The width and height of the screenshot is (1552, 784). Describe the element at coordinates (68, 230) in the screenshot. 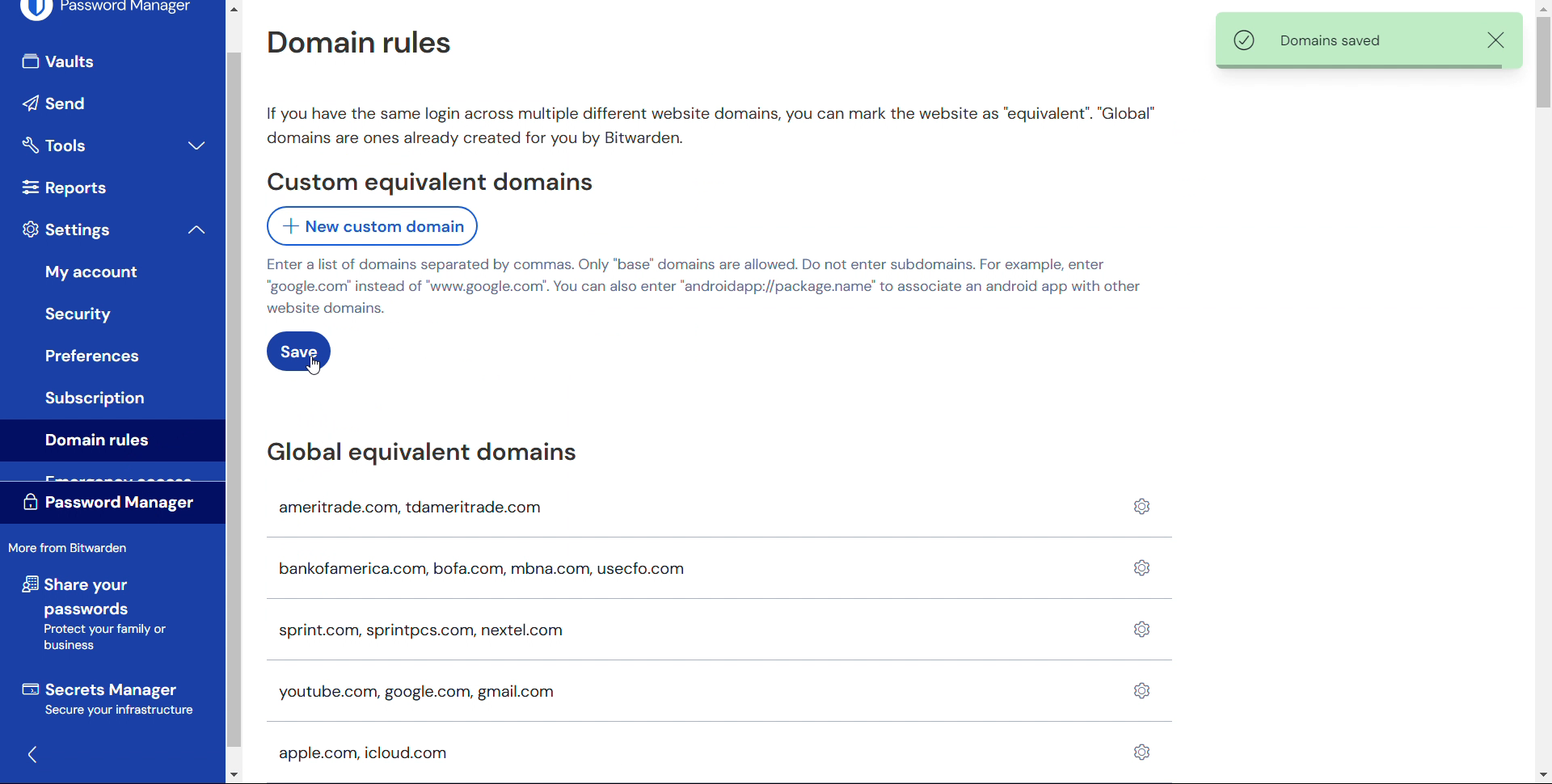

I see `Settings ` at that location.